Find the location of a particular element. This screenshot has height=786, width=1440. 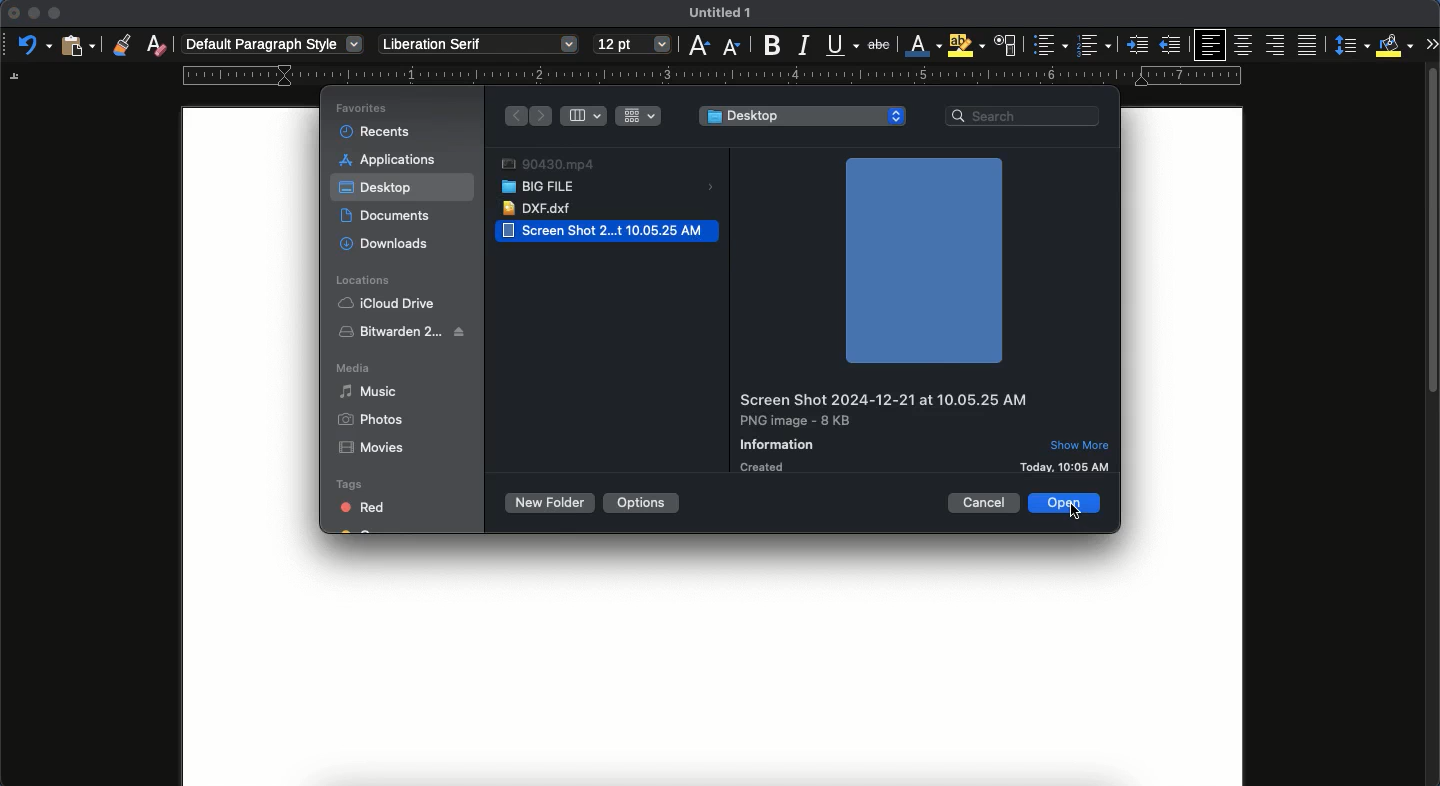

italics is located at coordinates (804, 46).